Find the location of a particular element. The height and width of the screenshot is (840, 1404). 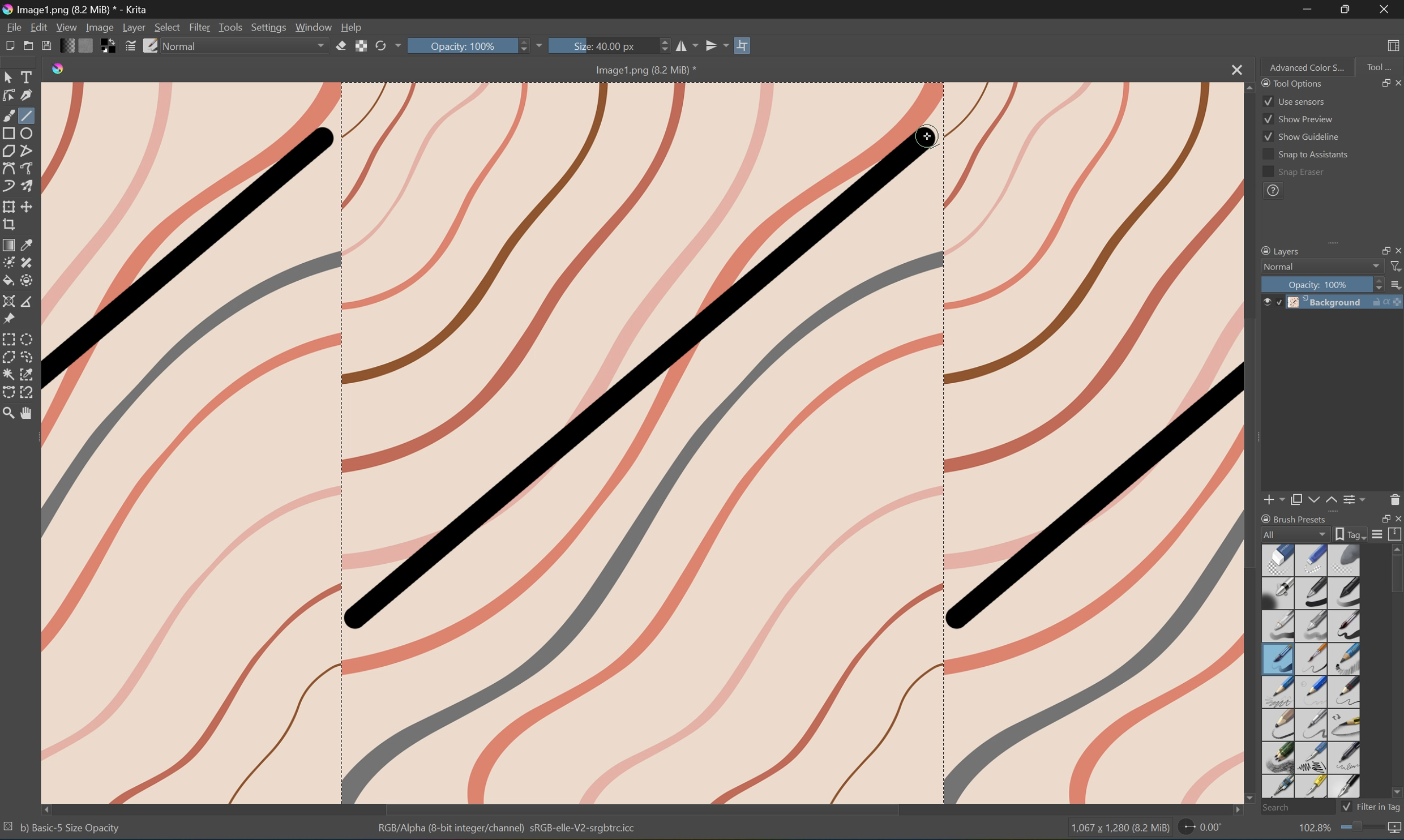

Draw a gradient is located at coordinates (10, 244).